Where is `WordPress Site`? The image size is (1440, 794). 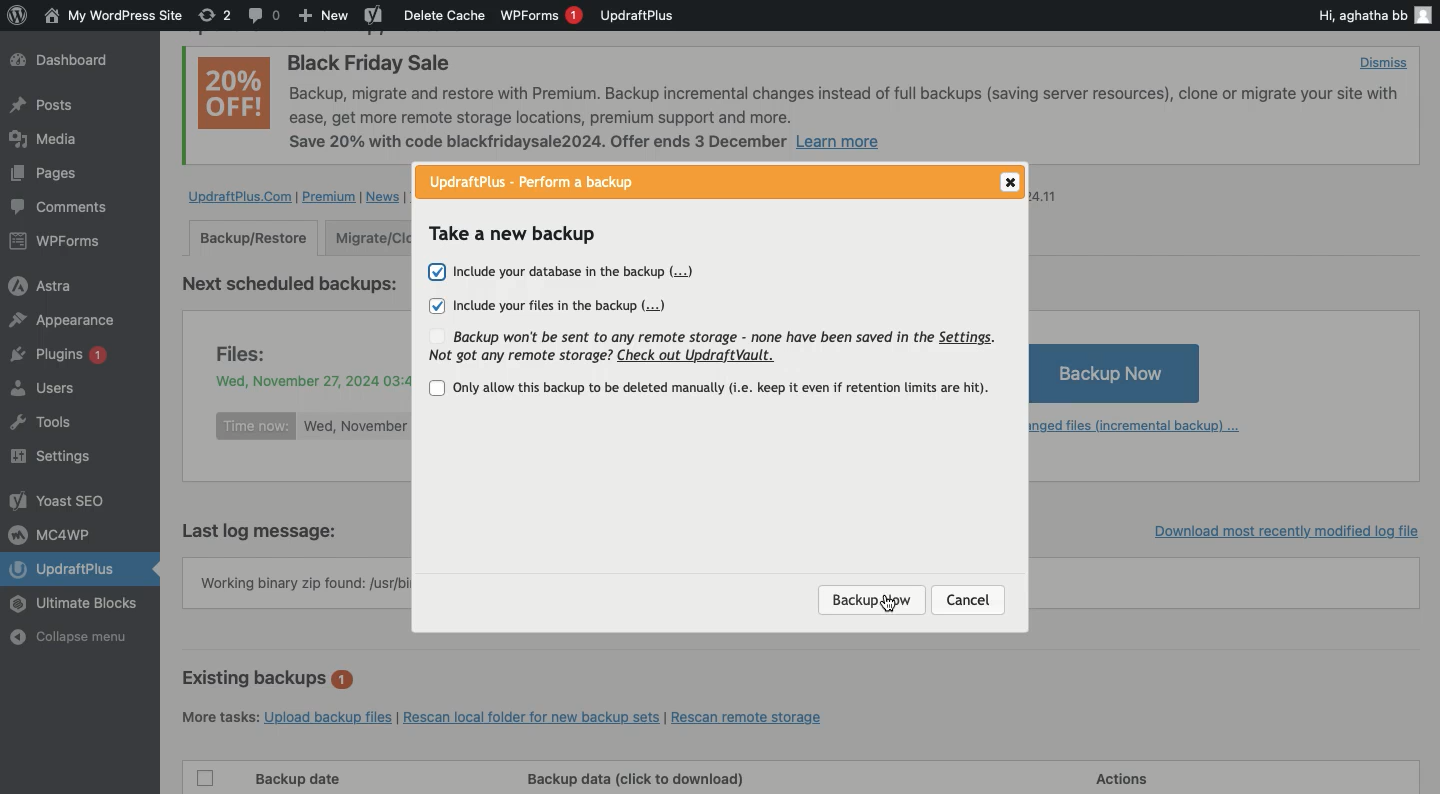
WordPress Site is located at coordinates (111, 16).